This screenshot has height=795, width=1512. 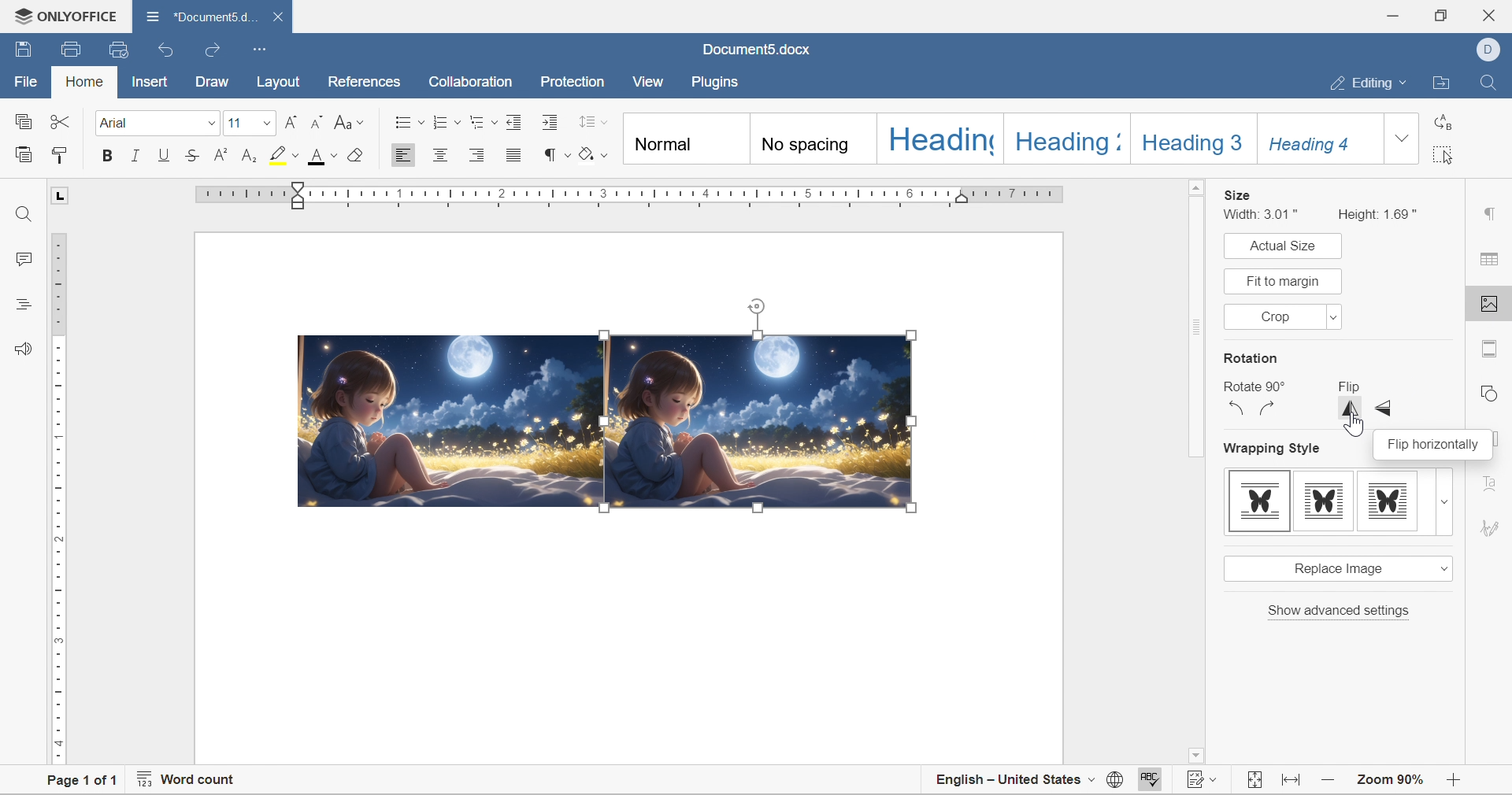 What do you see at coordinates (593, 121) in the screenshot?
I see `line spacing` at bounding box center [593, 121].